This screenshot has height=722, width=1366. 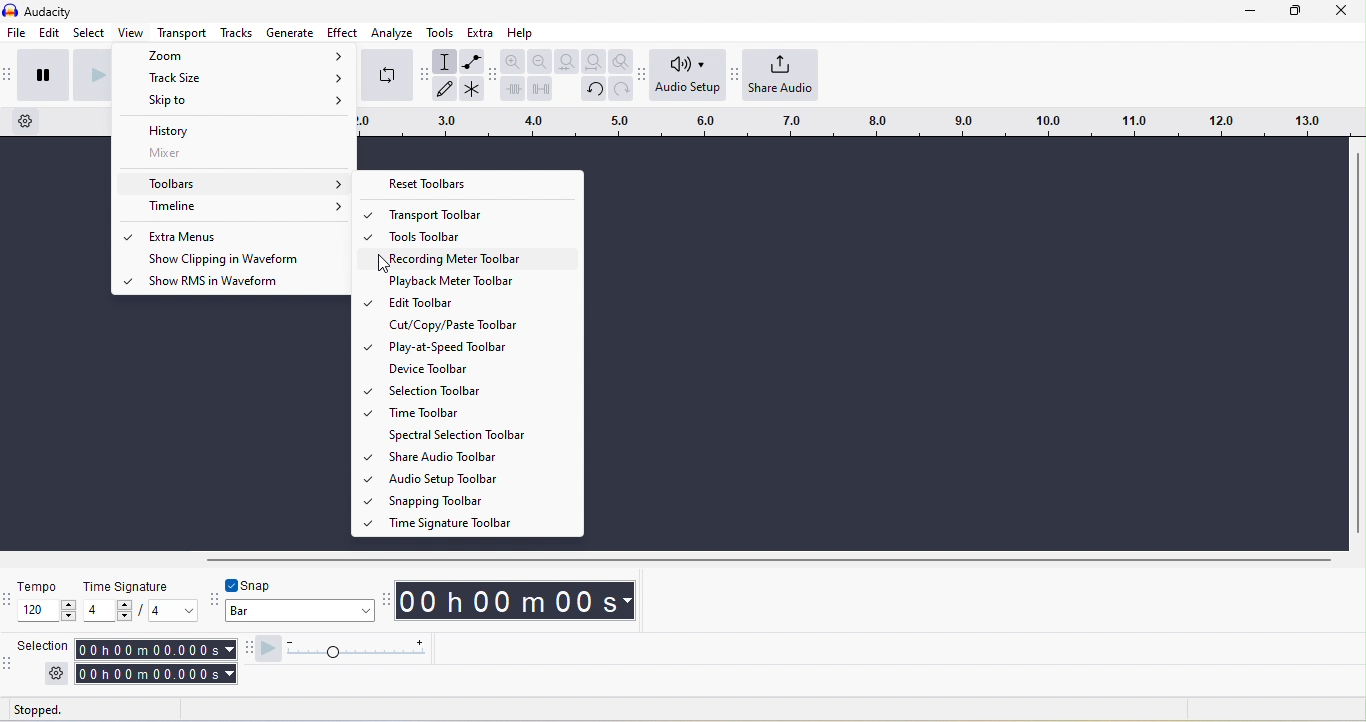 I want to click on tempo, so click(x=40, y=586).